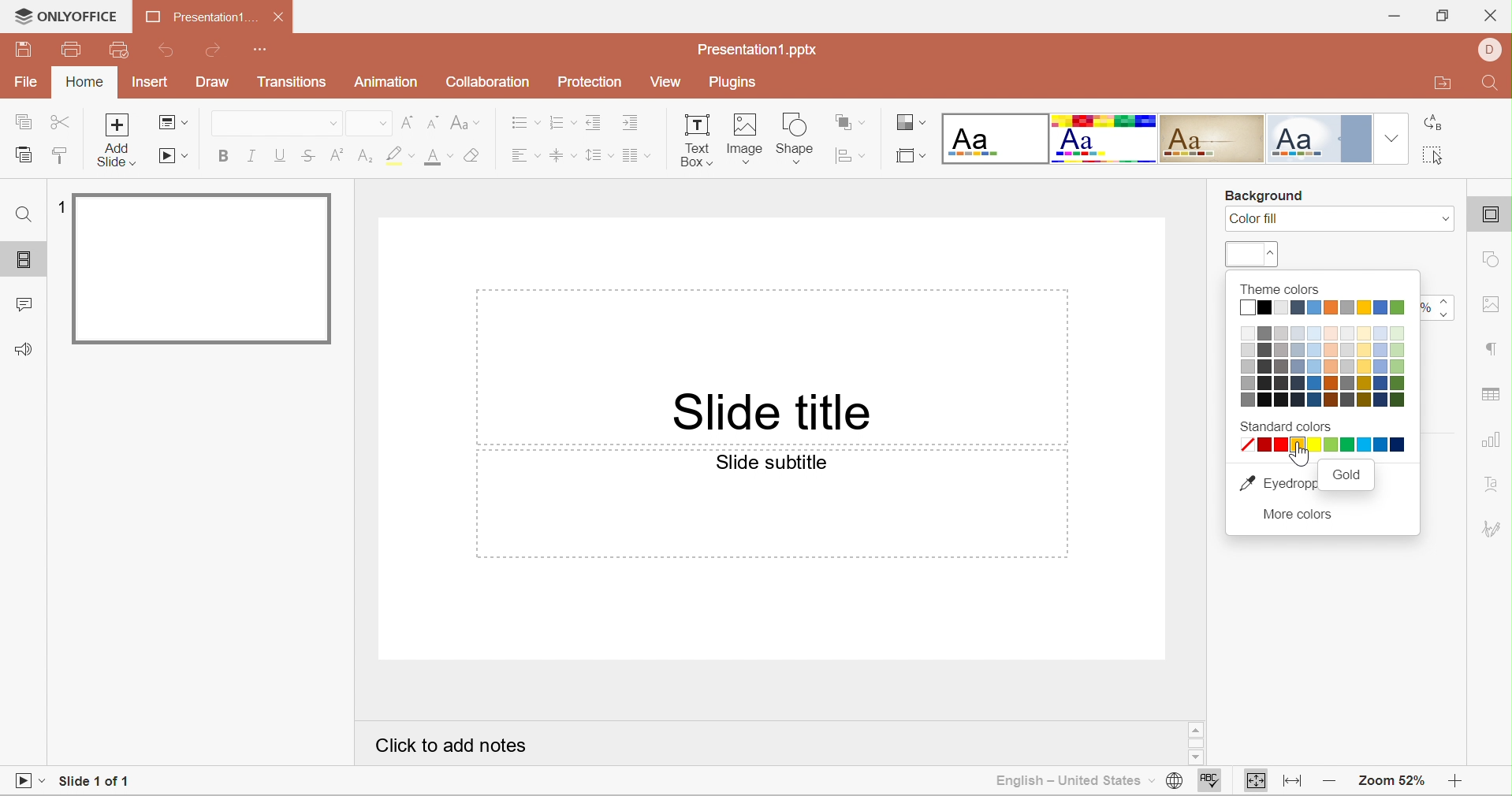 This screenshot has width=1512, height=796. What do you see at coordinates (525, 157) in the screenshot?
I see `Horizontal Align` at bounding box center [525, 157].